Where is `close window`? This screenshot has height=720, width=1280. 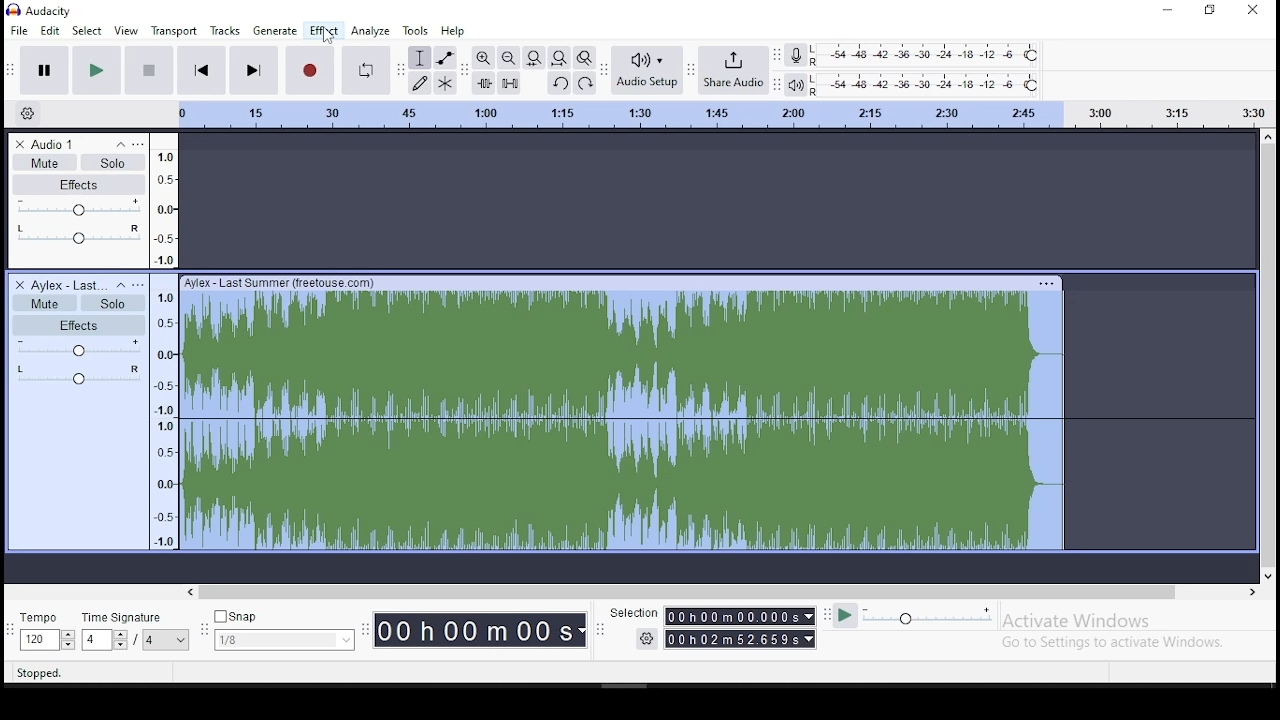
close window is located at coordinates (1255, 10).